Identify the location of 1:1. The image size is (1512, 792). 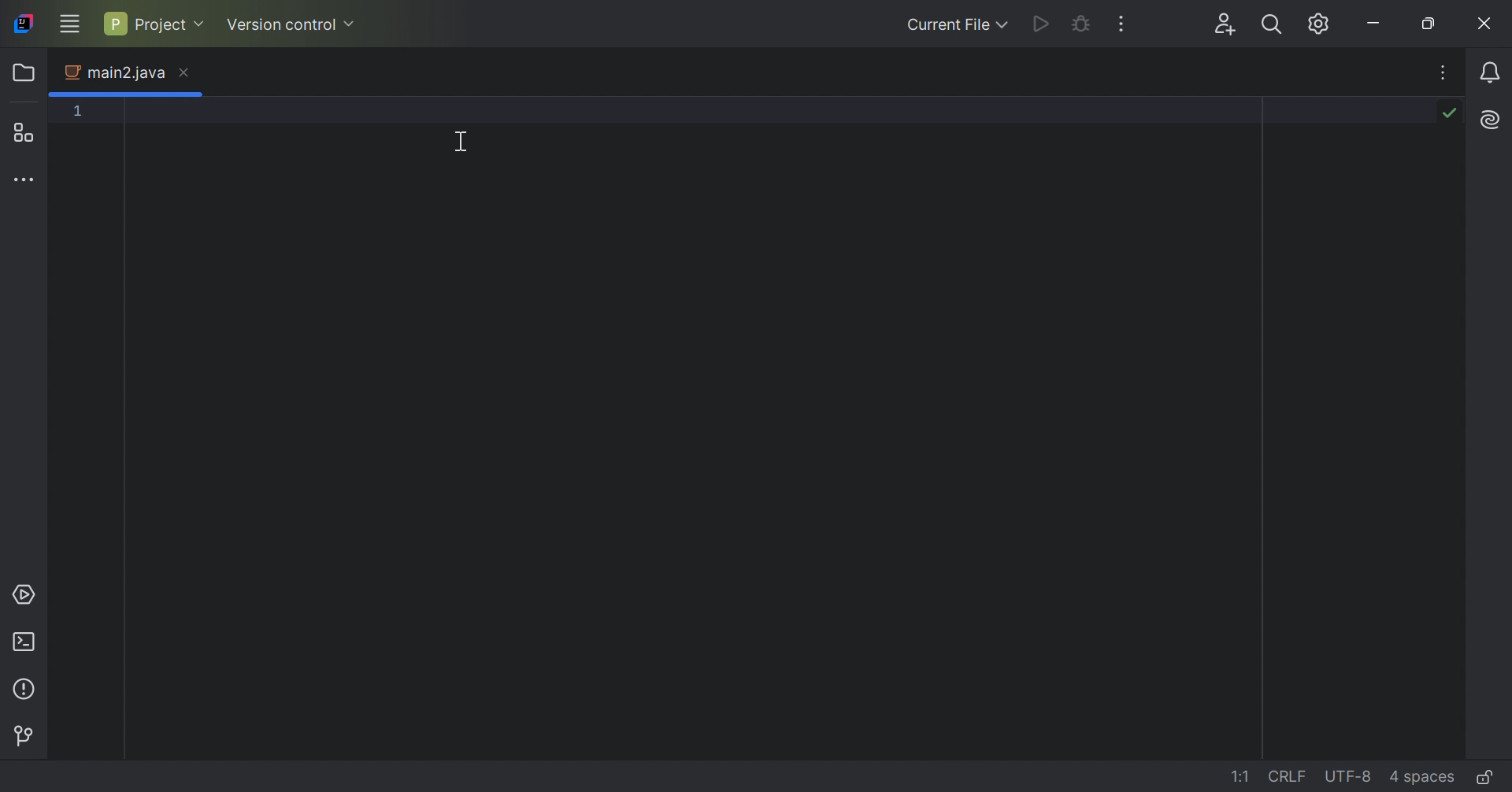
(1242, 778).